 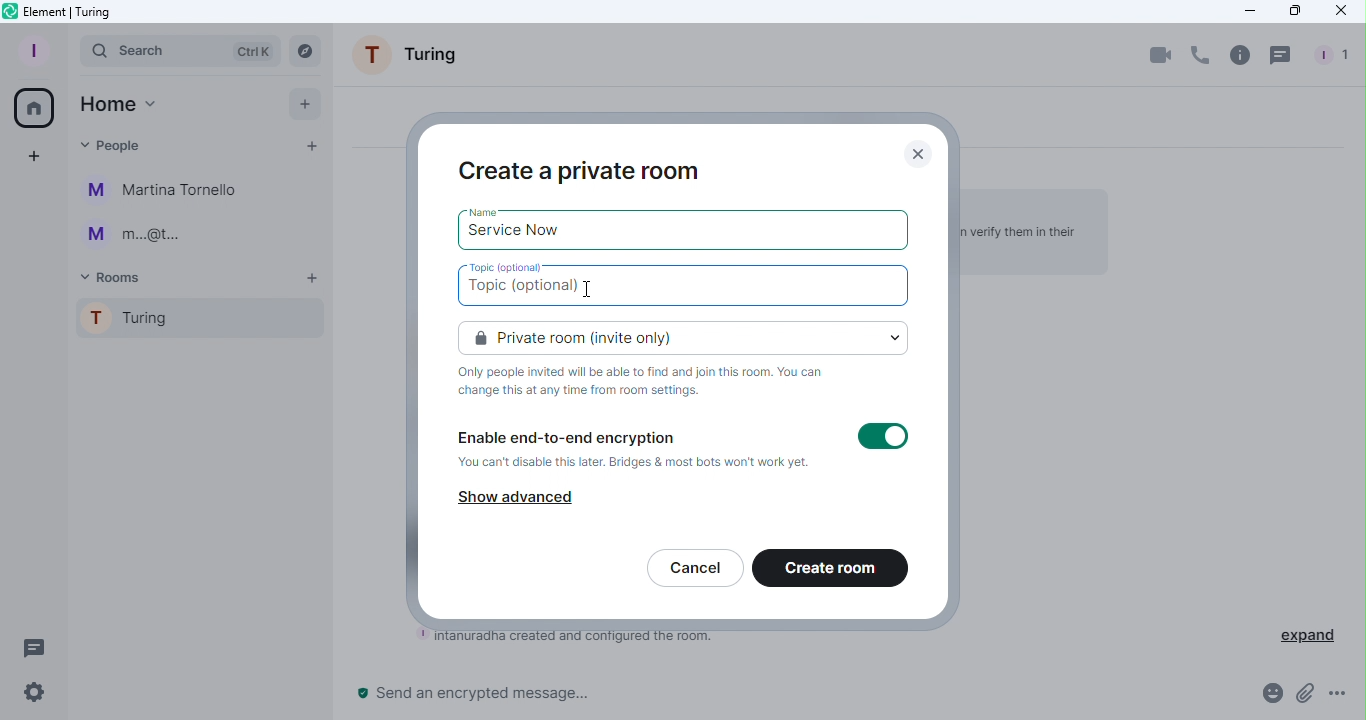 I want to click on People, so click(x=114, y=142).